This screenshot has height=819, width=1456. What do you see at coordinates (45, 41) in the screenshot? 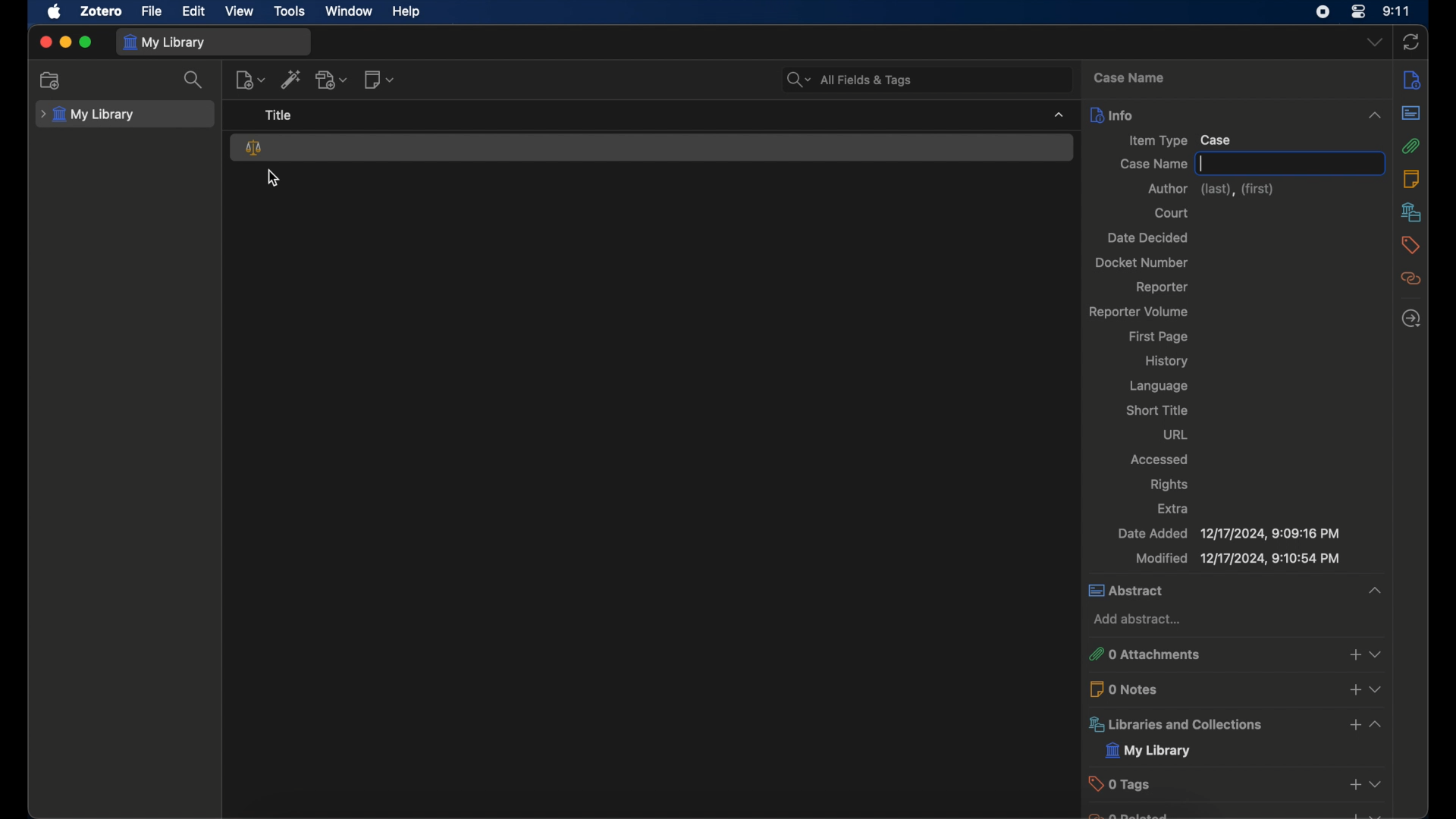
I see `close` at bounding box center [45, 41].